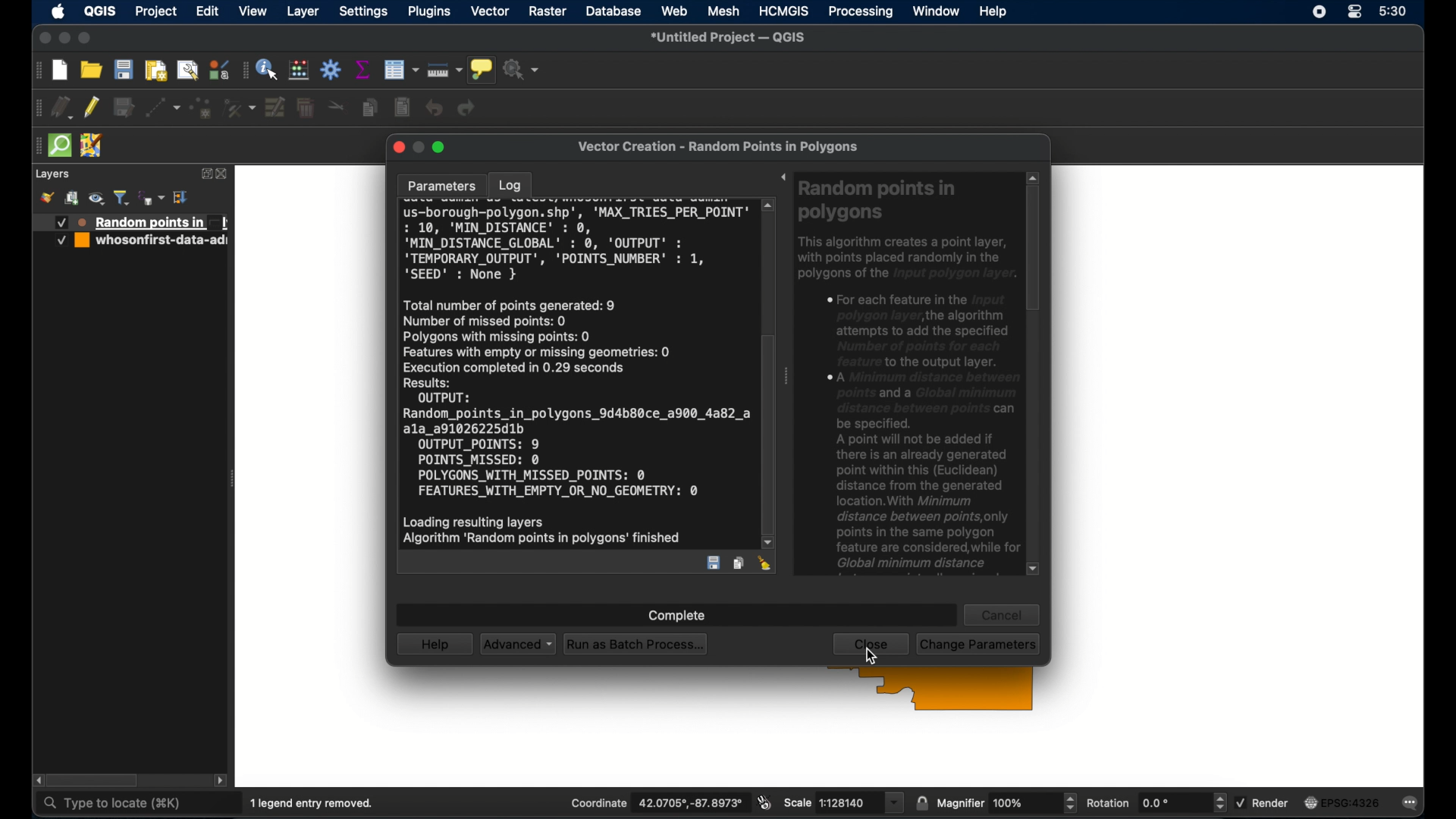 The height and width of the screenshot is (819, 1456). Describe the element at coordinates (1006, 803) in the screenshot. I see `magnifier` at that location.